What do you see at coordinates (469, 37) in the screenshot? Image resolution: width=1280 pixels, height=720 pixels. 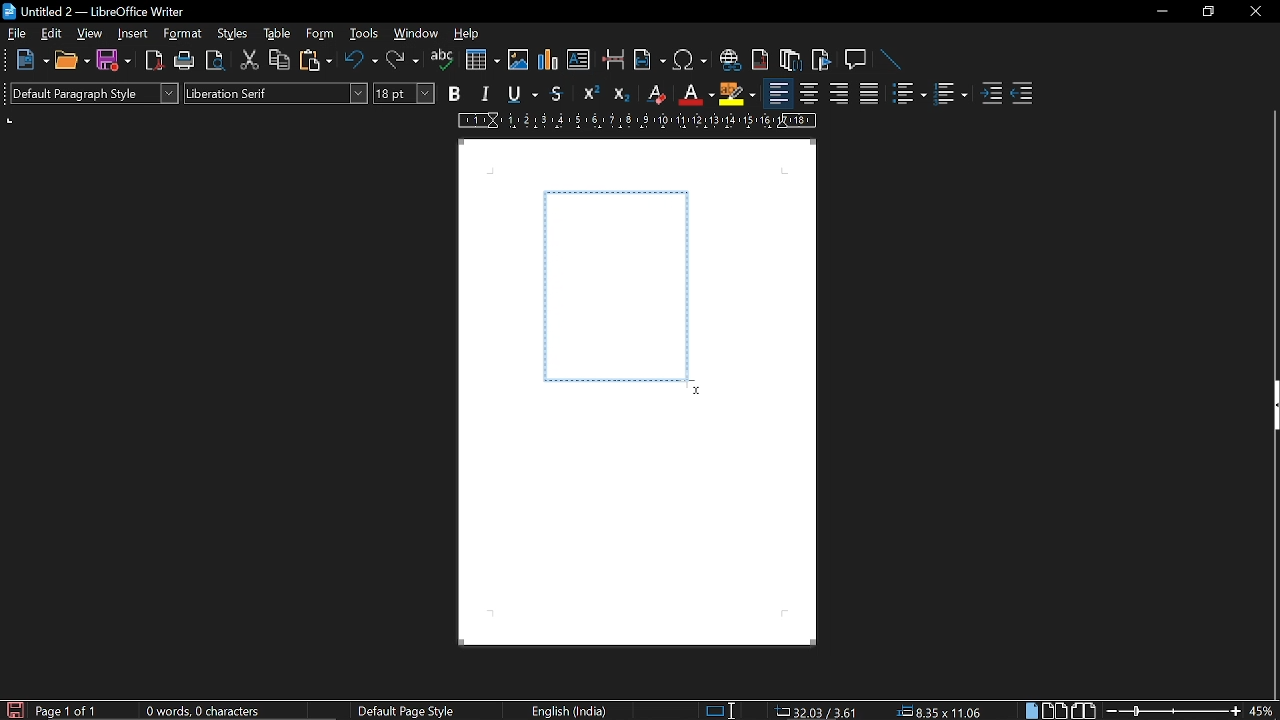 I see `help` at bounding box center [469, 37].